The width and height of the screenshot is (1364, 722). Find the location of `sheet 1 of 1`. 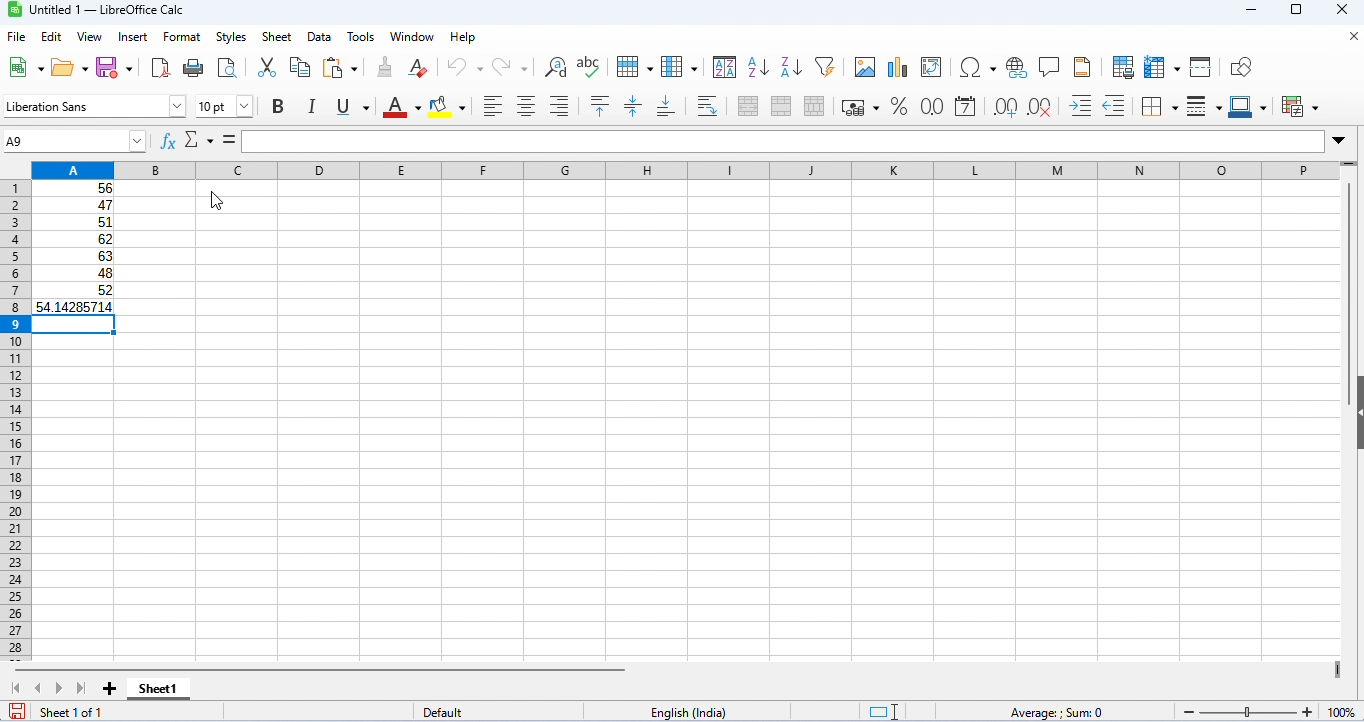

sheet 1 of 1 is located at coordinates (72, 712).